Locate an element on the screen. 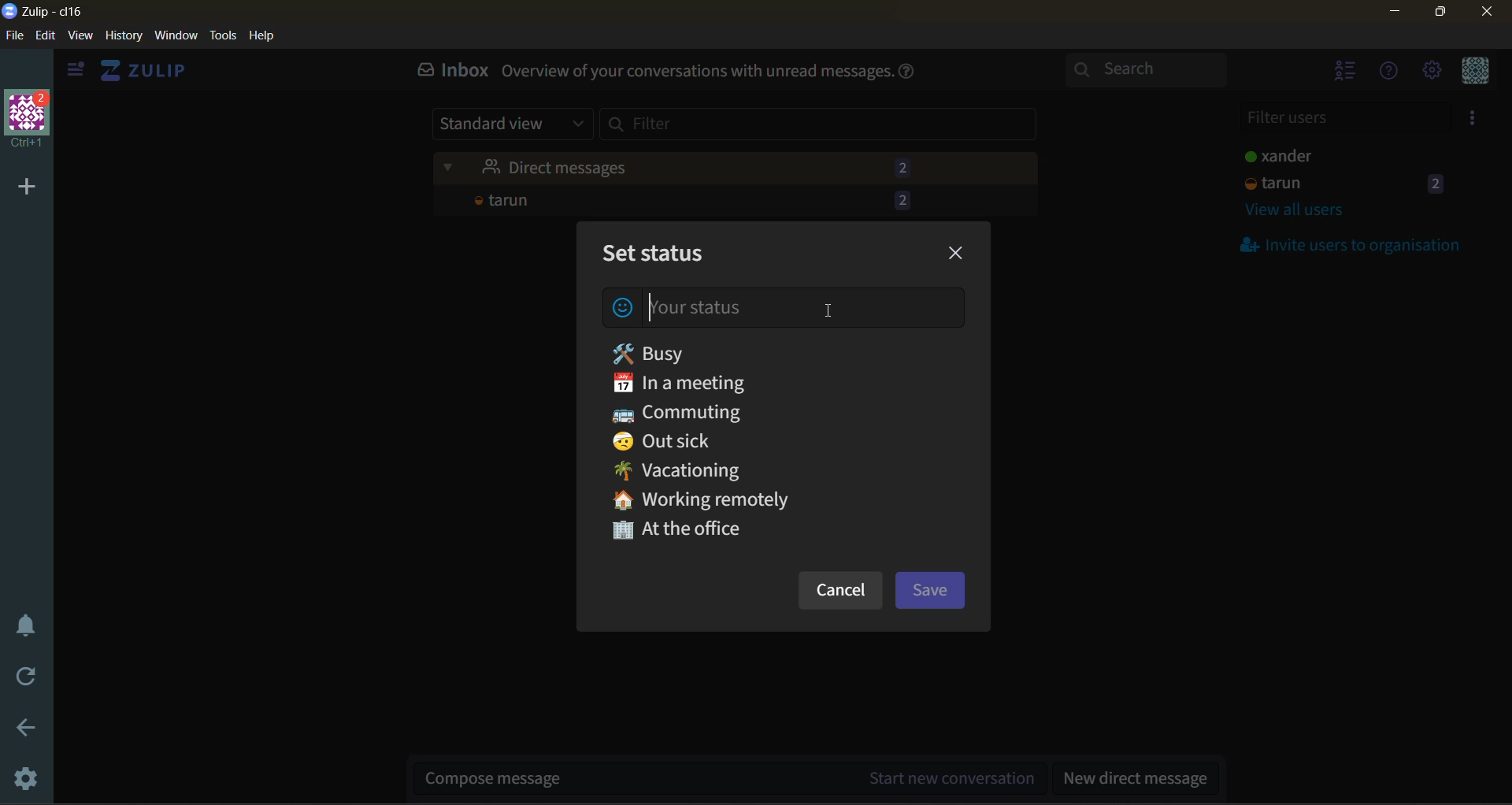 The width and height of the screenshot is (1512, 805). search is located at coordinates (1152, 71).